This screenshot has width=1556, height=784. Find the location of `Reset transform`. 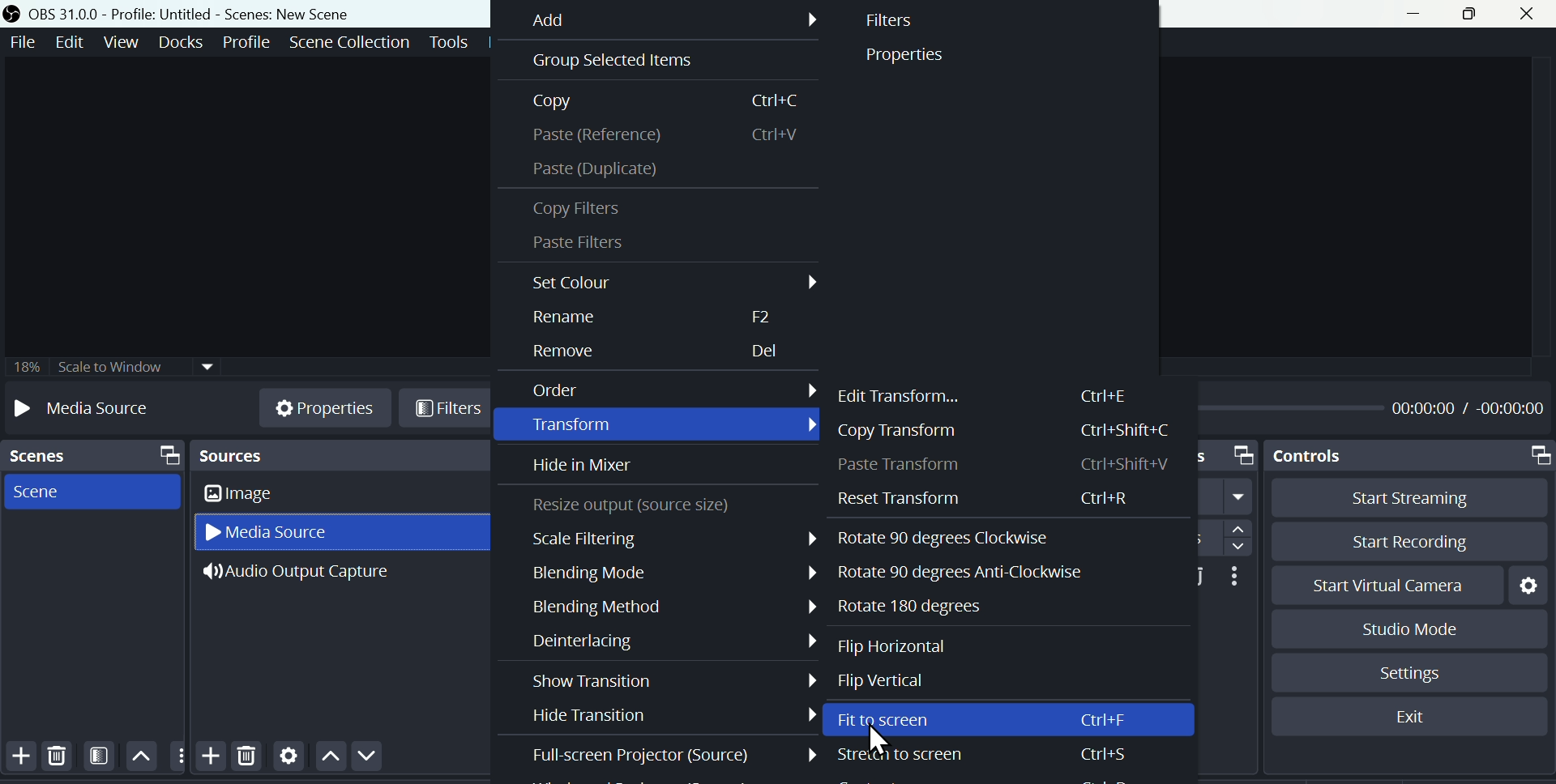

Reset transform is located at coordinates (990, 500).